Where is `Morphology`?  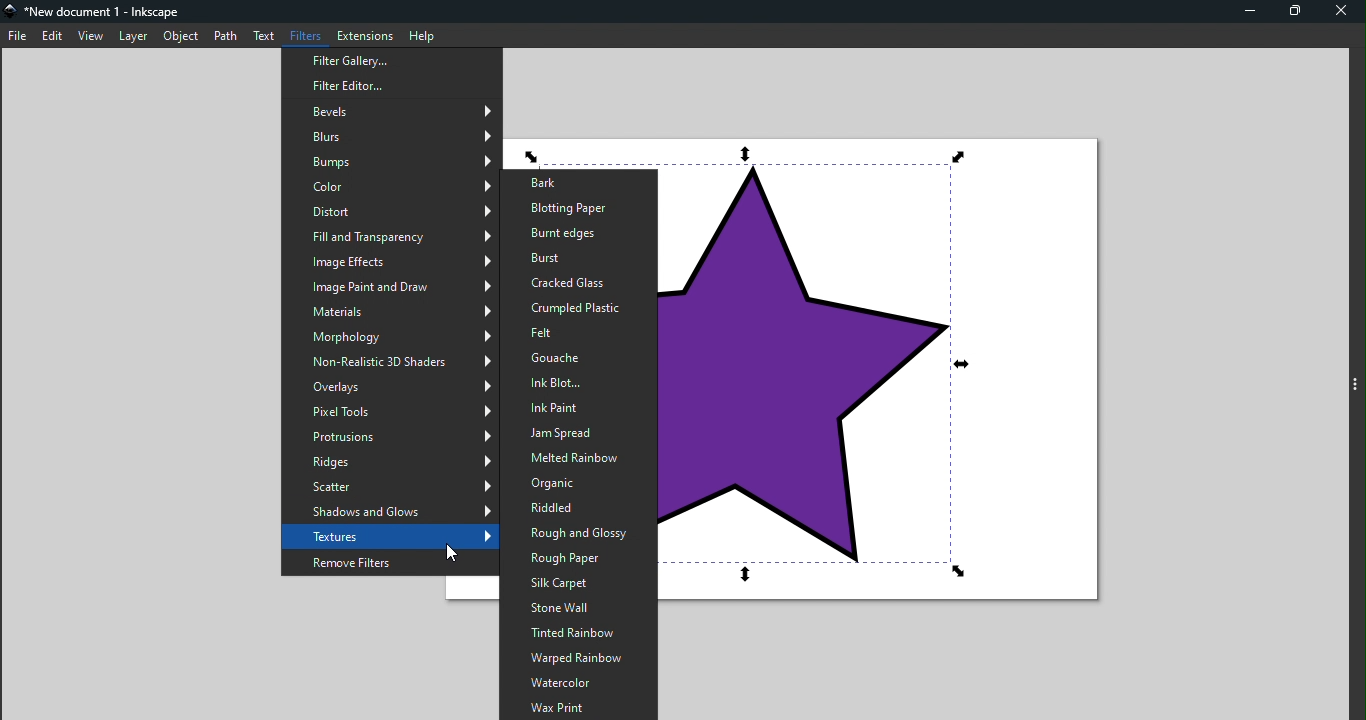 Morphology is located at coordinates (390, 337).